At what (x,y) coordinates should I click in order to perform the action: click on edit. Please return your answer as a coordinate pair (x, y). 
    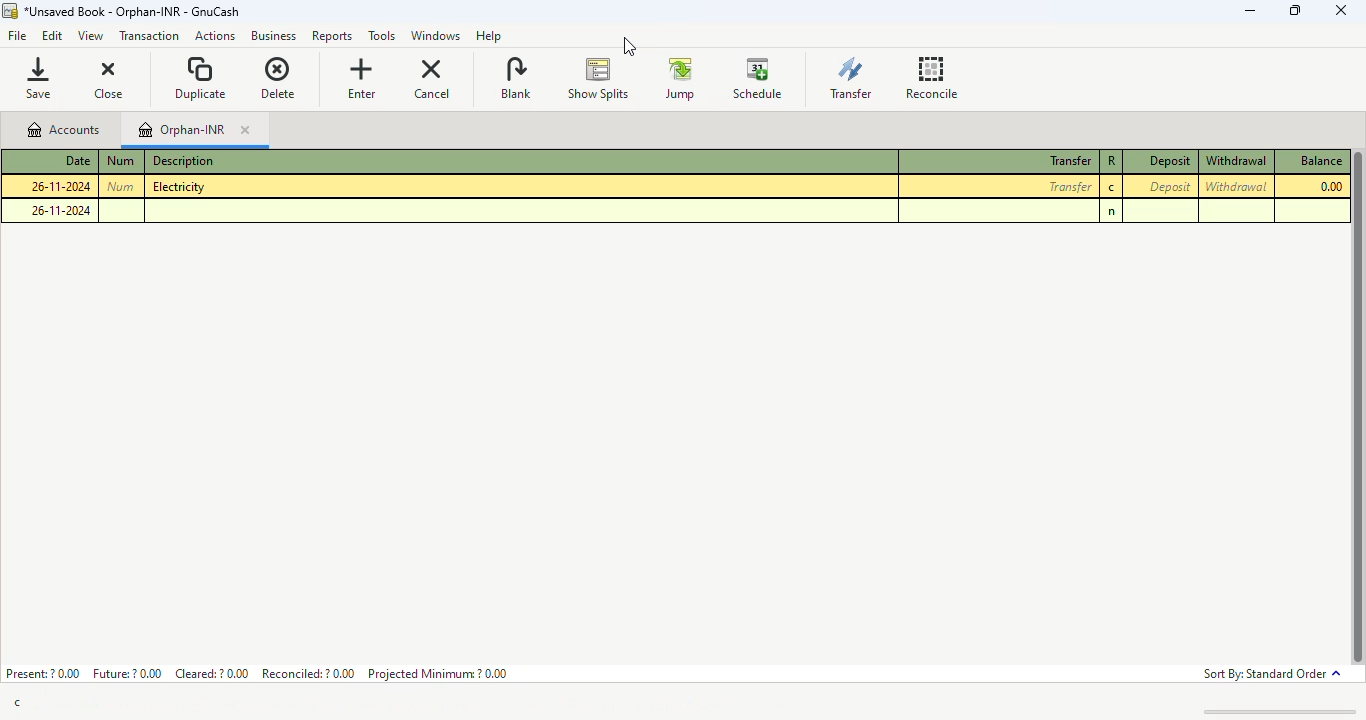
    Looking at the image, I should click on (52, 37).